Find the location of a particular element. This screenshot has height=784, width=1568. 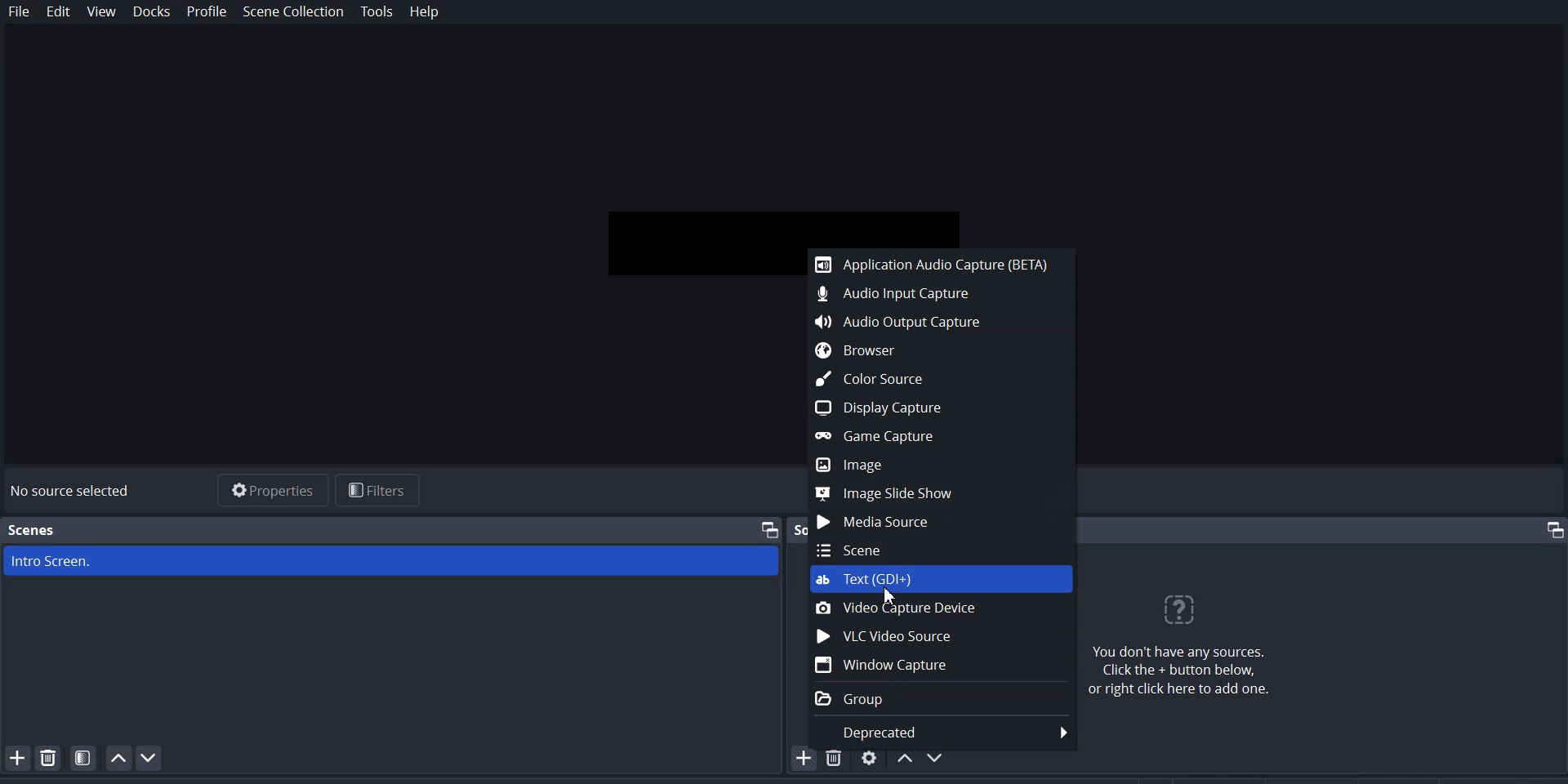

Maximize is located at coordinates (770, 528).